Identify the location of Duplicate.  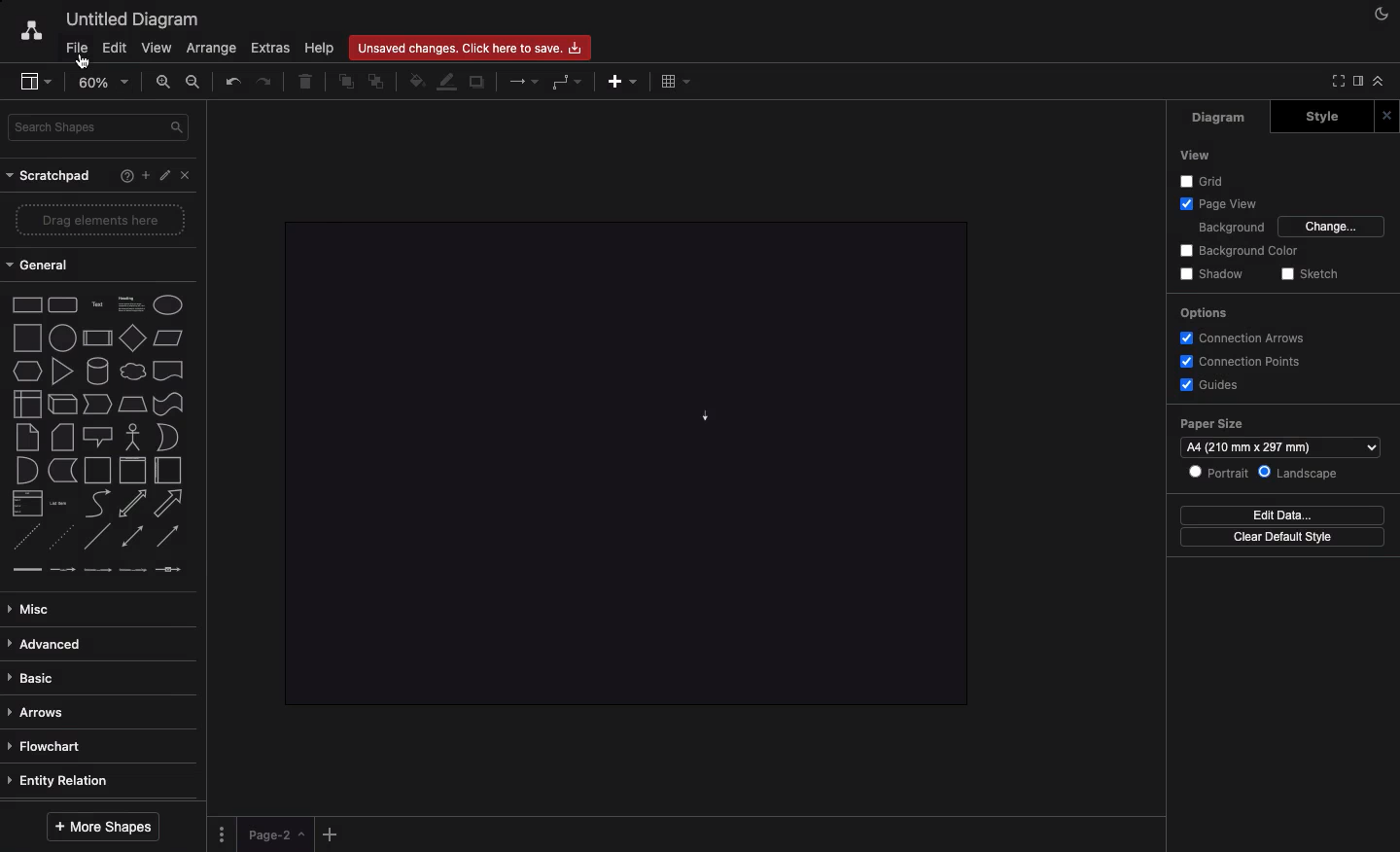
(476, 84).